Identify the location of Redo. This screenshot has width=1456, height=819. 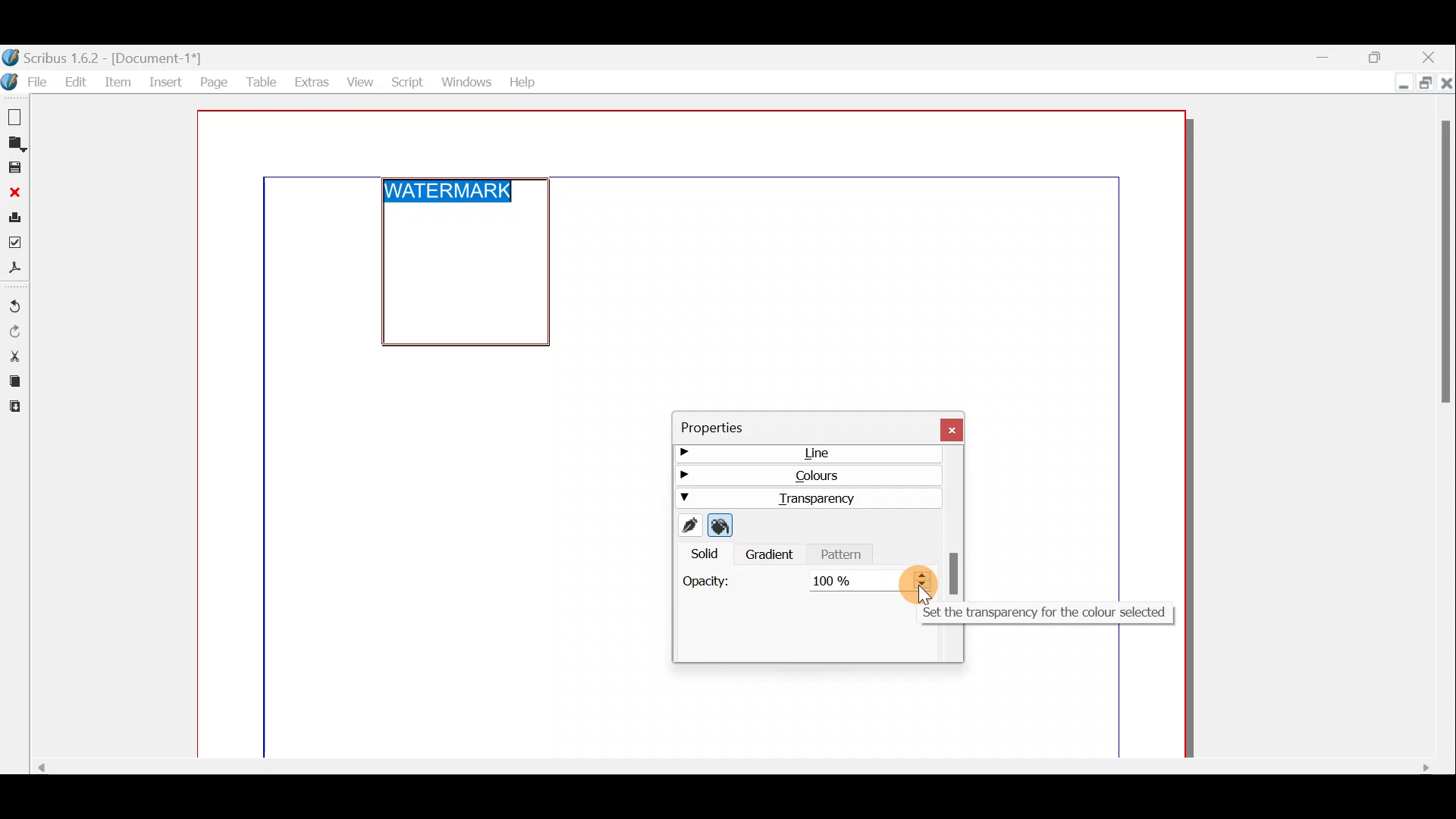
(14, 332).